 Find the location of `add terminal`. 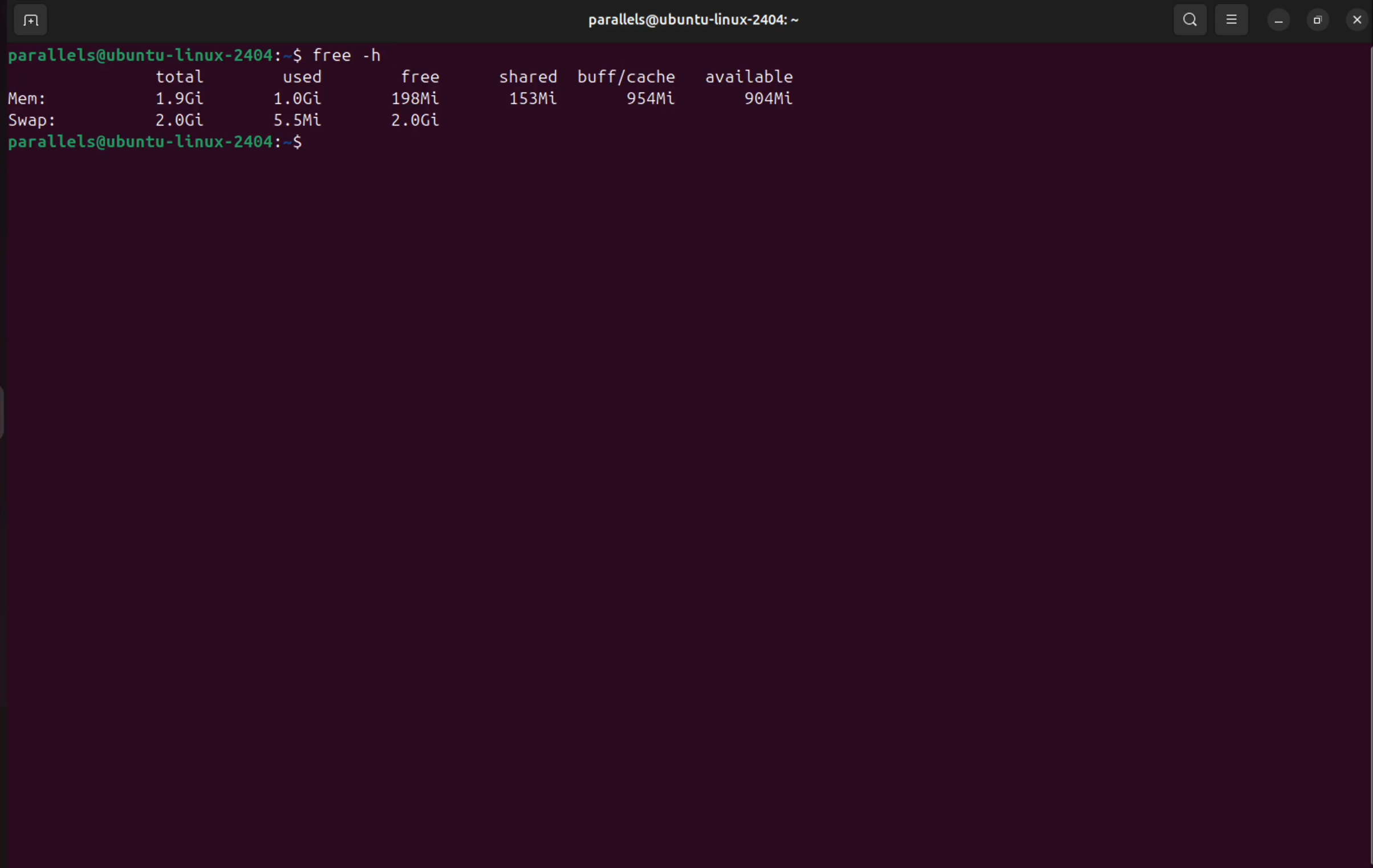

add terminal is located at coordinates (27, 21).